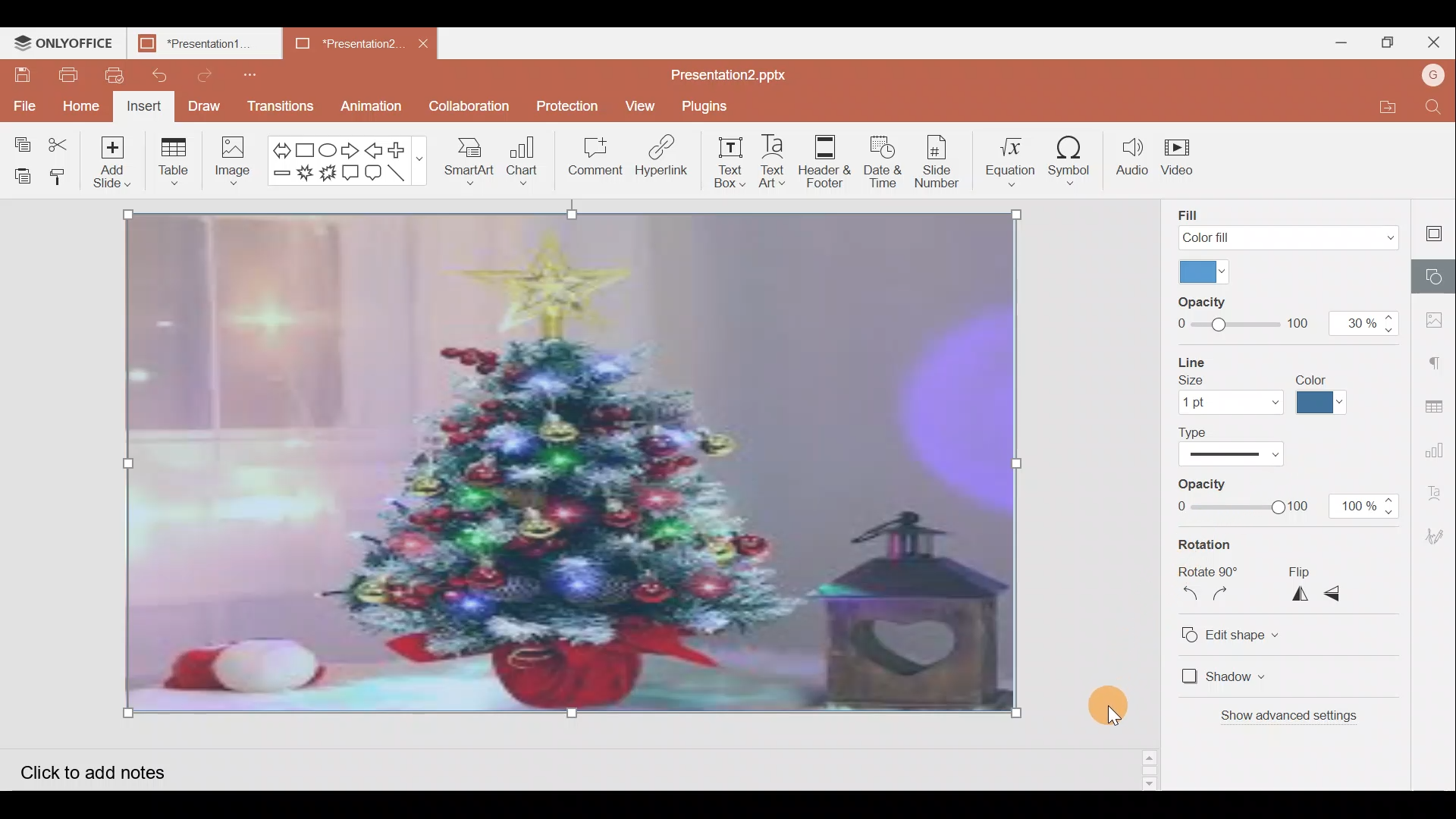 This screenshot has width=1456, height=819. I want to click on Text box, so click(722, 165).